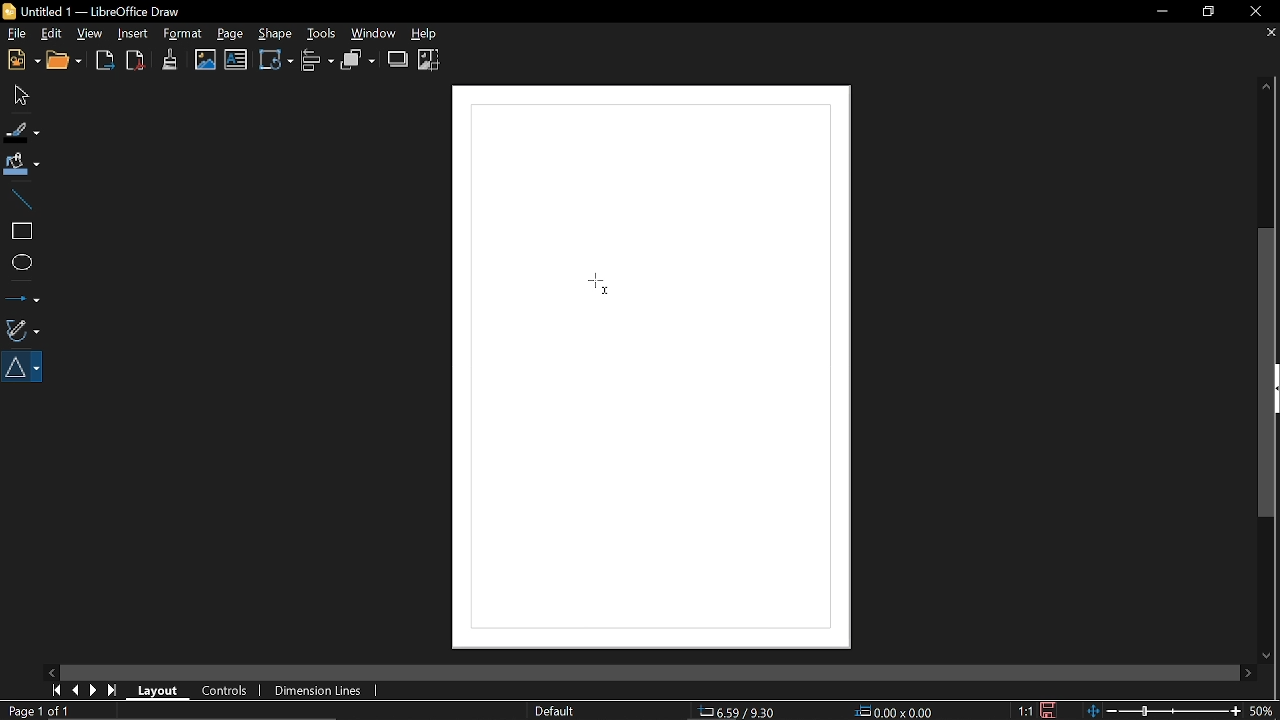  Describe the element at coordinates (206, 60) in the screenshot. I see `Insert image` at that location.